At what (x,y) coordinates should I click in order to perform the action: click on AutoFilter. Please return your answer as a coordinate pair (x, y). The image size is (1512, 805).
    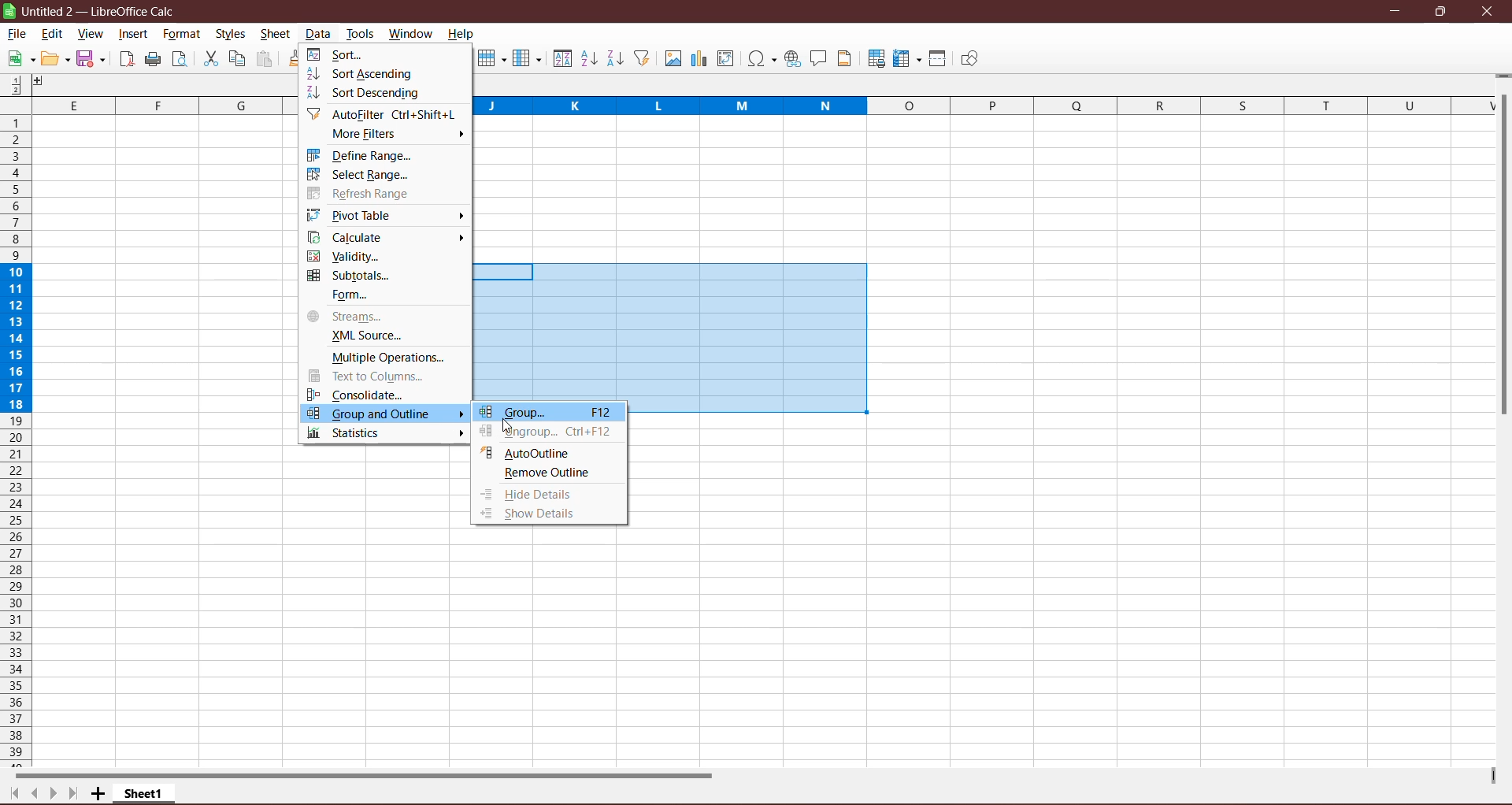
    Looking at the image, I should click on (386, 114).